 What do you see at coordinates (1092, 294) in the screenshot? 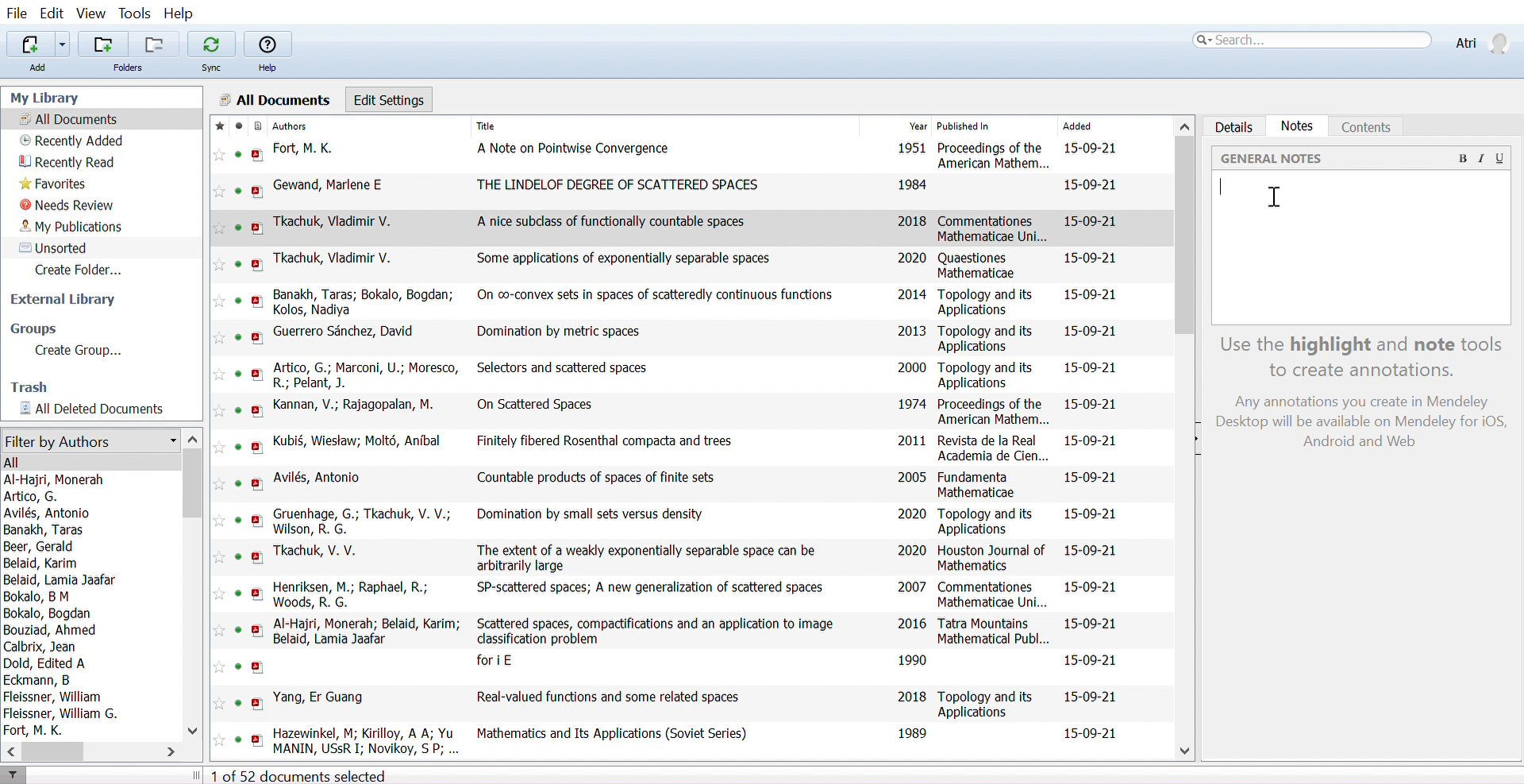
I see `15-09-21` at bounding box center [1092, 294].